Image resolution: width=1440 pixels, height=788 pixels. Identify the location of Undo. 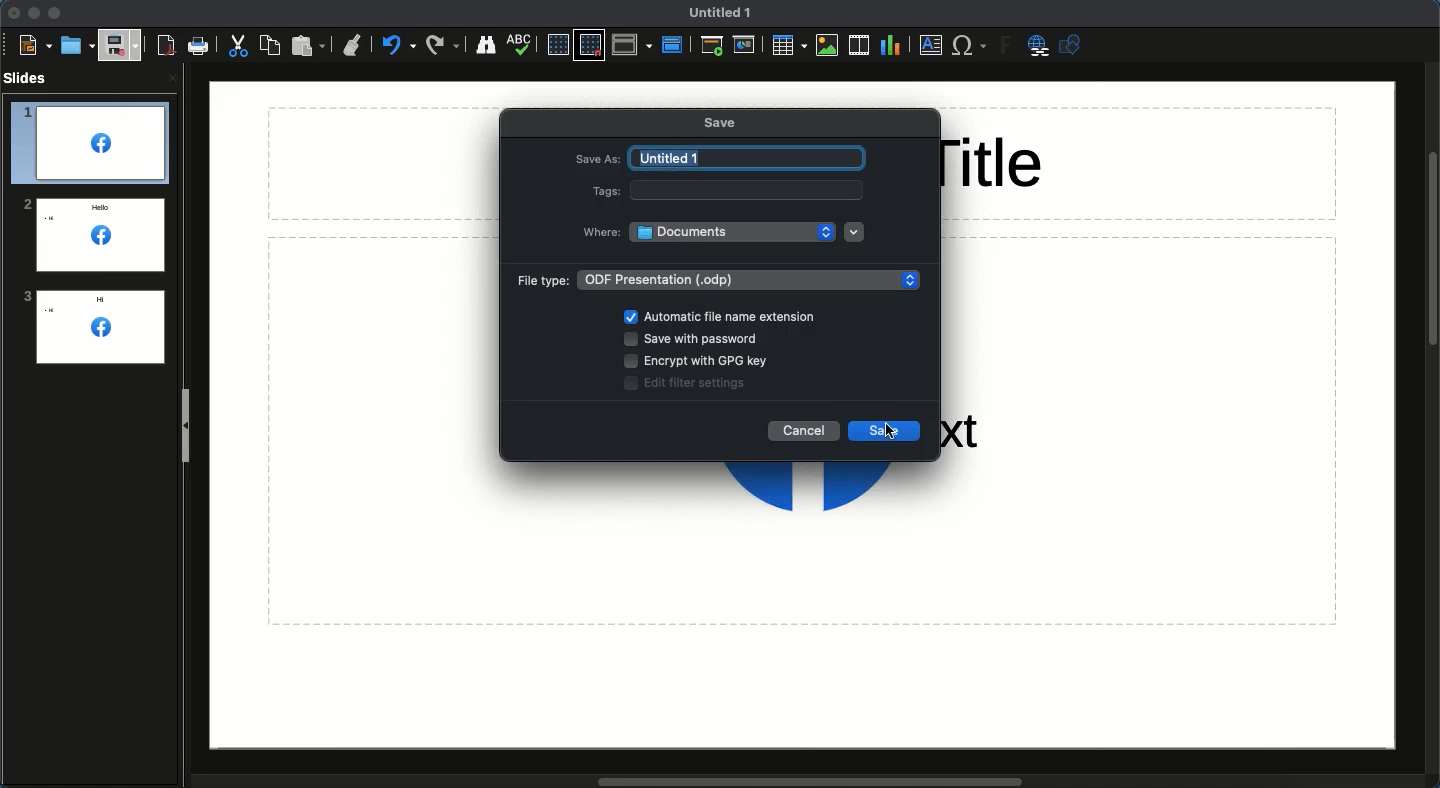
(399, 45).